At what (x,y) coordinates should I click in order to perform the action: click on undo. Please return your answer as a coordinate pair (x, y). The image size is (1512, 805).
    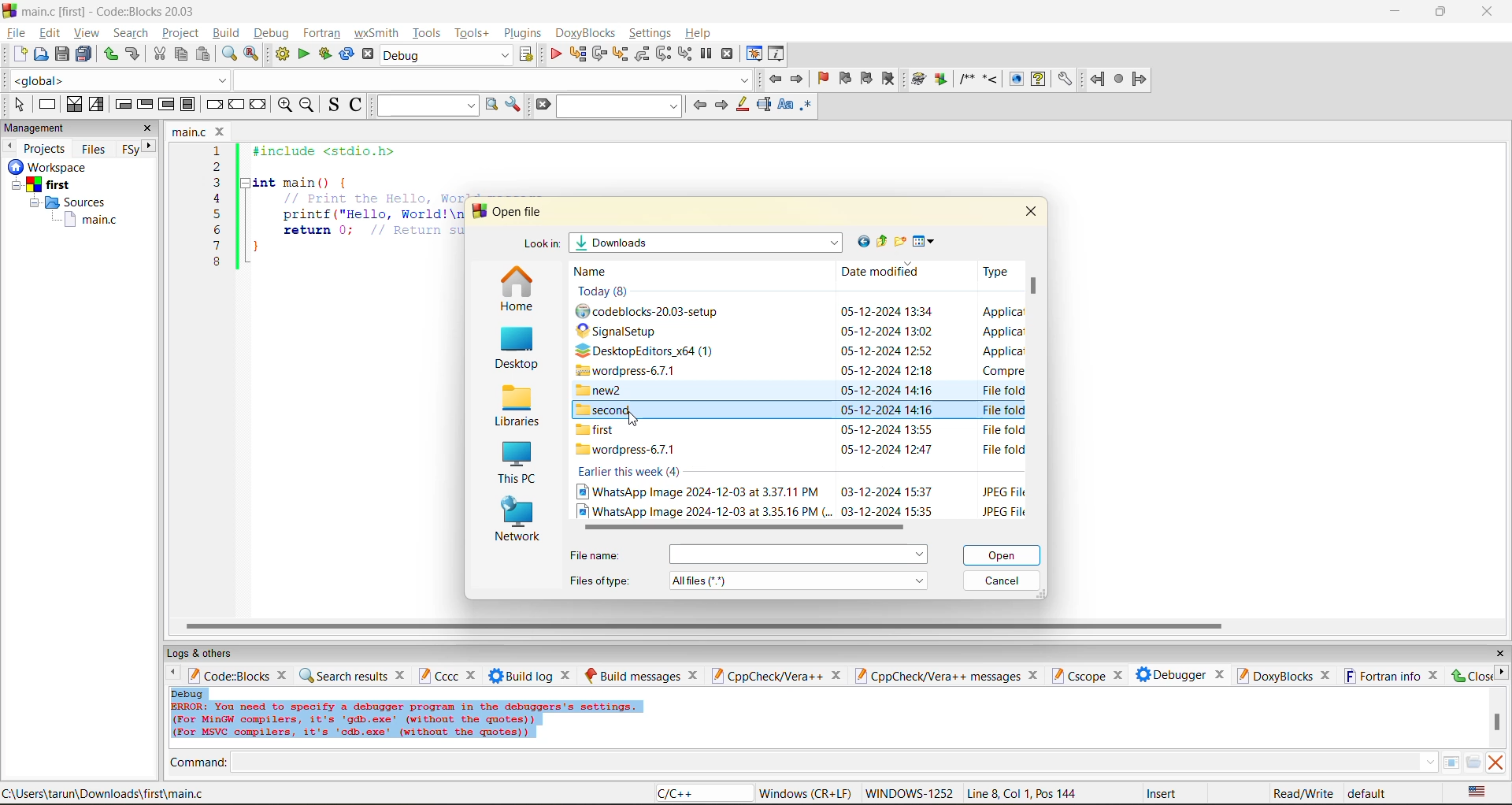
    Looking at the image, I should click on (131, 54).